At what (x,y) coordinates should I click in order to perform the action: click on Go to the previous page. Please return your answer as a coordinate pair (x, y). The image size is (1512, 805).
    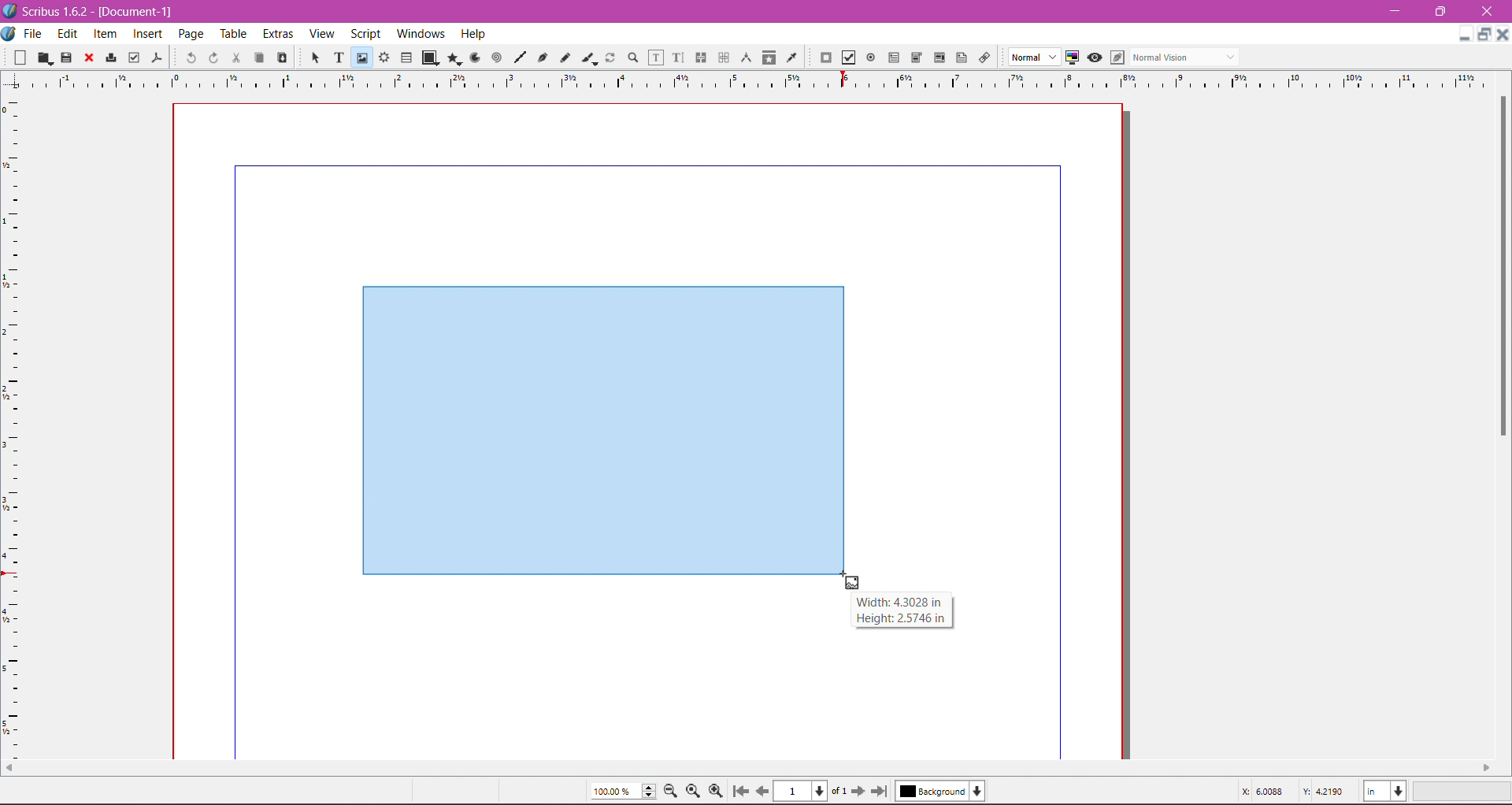
    Looking at the image, I should click on (762, 791).